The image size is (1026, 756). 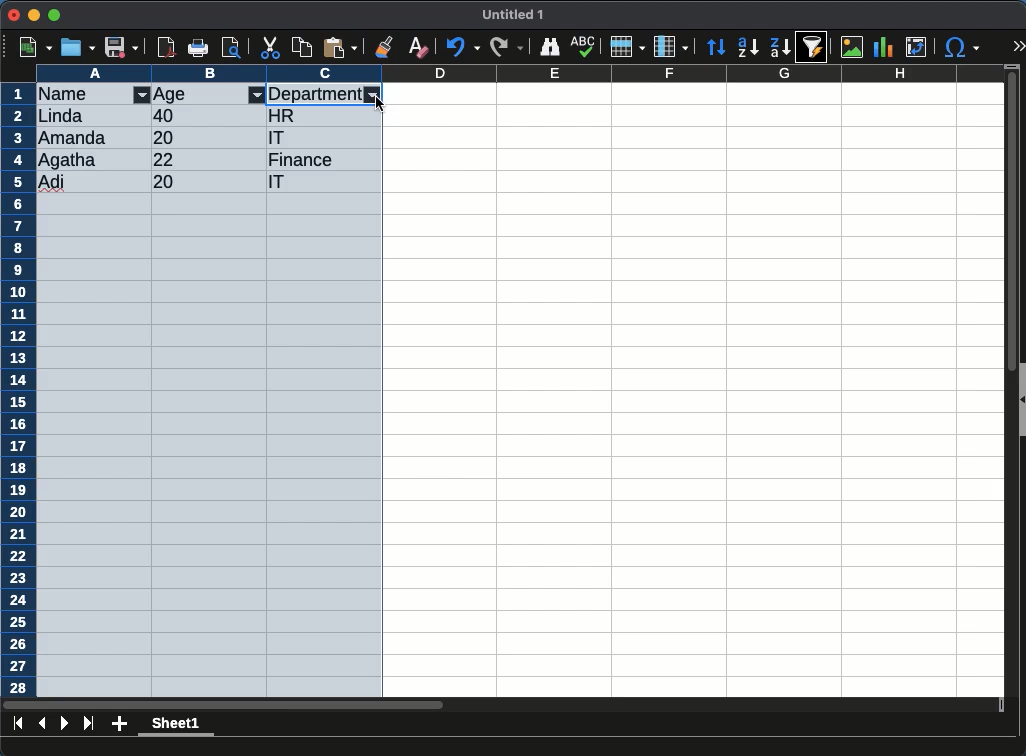 I want to click on special character, so click(x=961, y=47).